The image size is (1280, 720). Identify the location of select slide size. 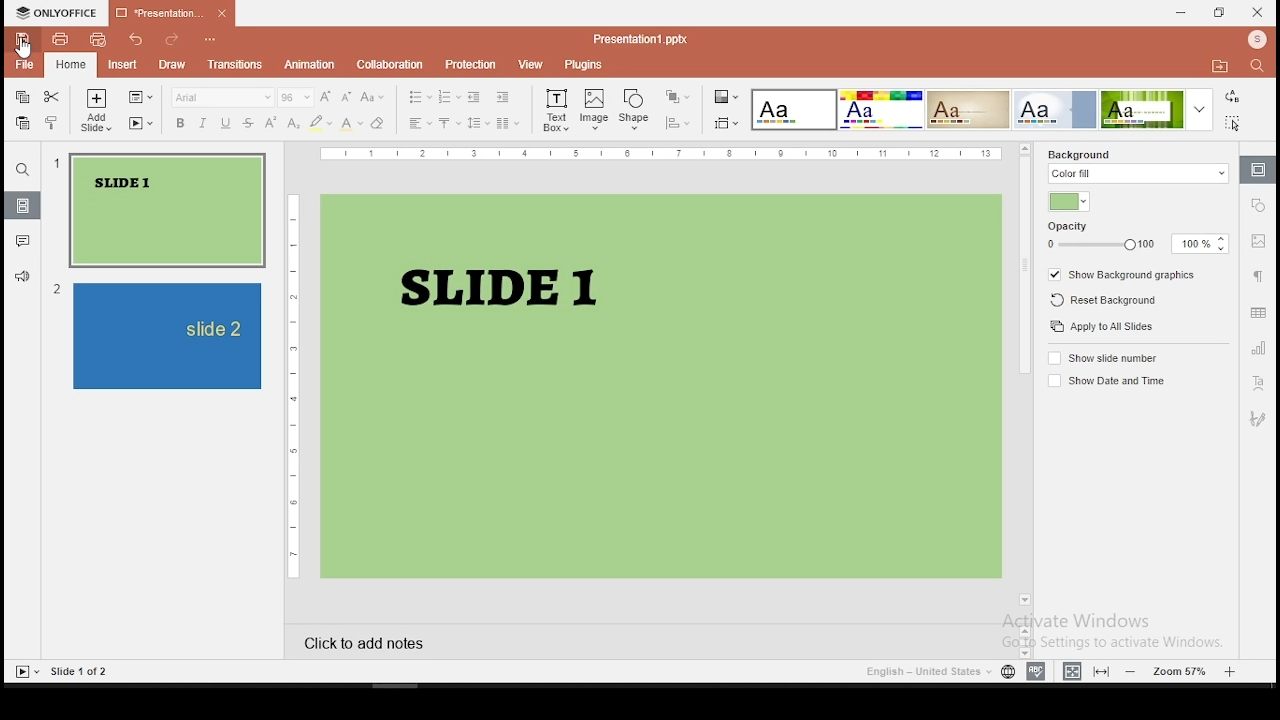
(727, 122).